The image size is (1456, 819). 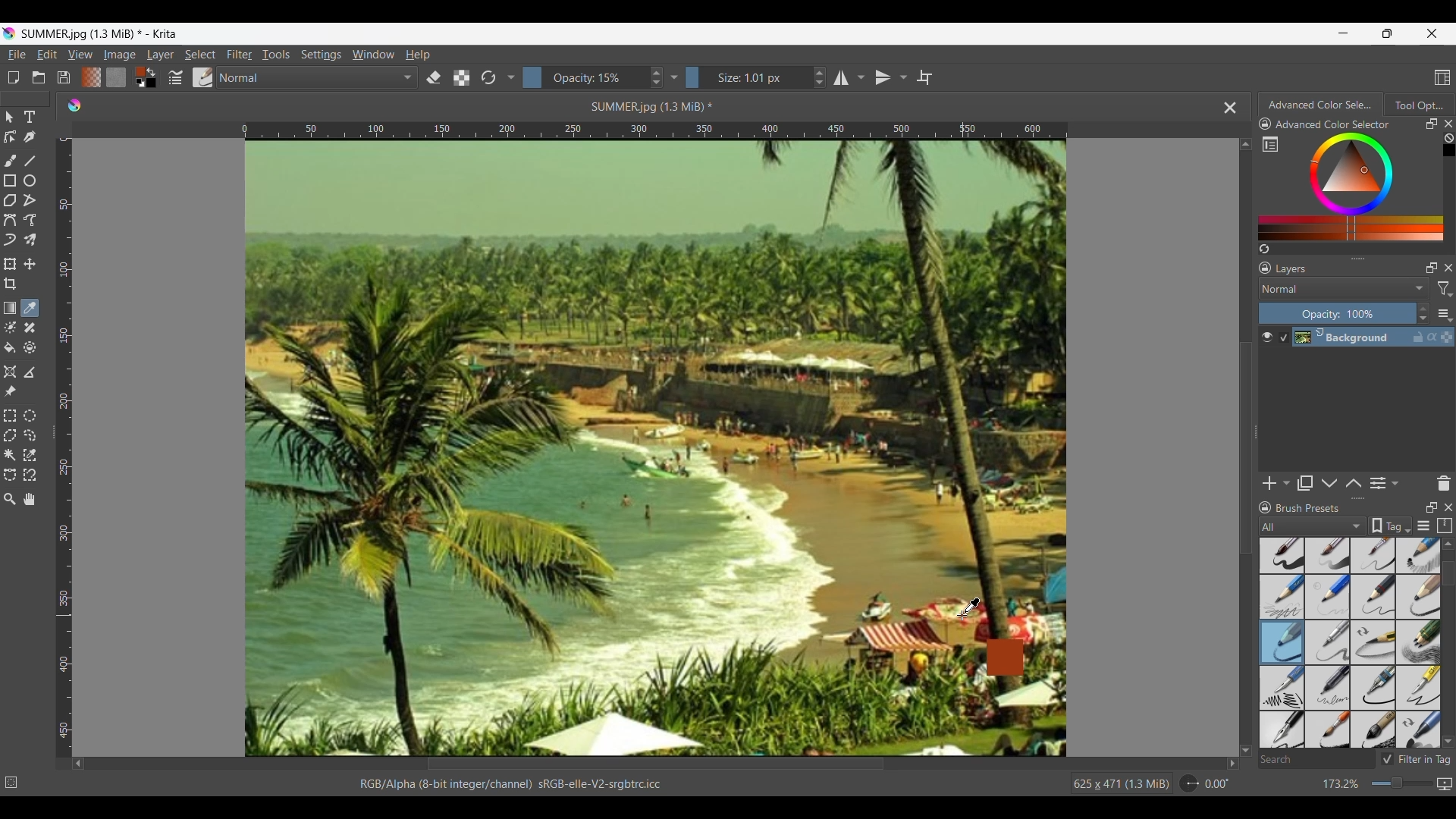 What do you see at coordinates (839, 77) in the screenshot?
I see `Horizontal mirror tool` at bounding box center [839, 77].